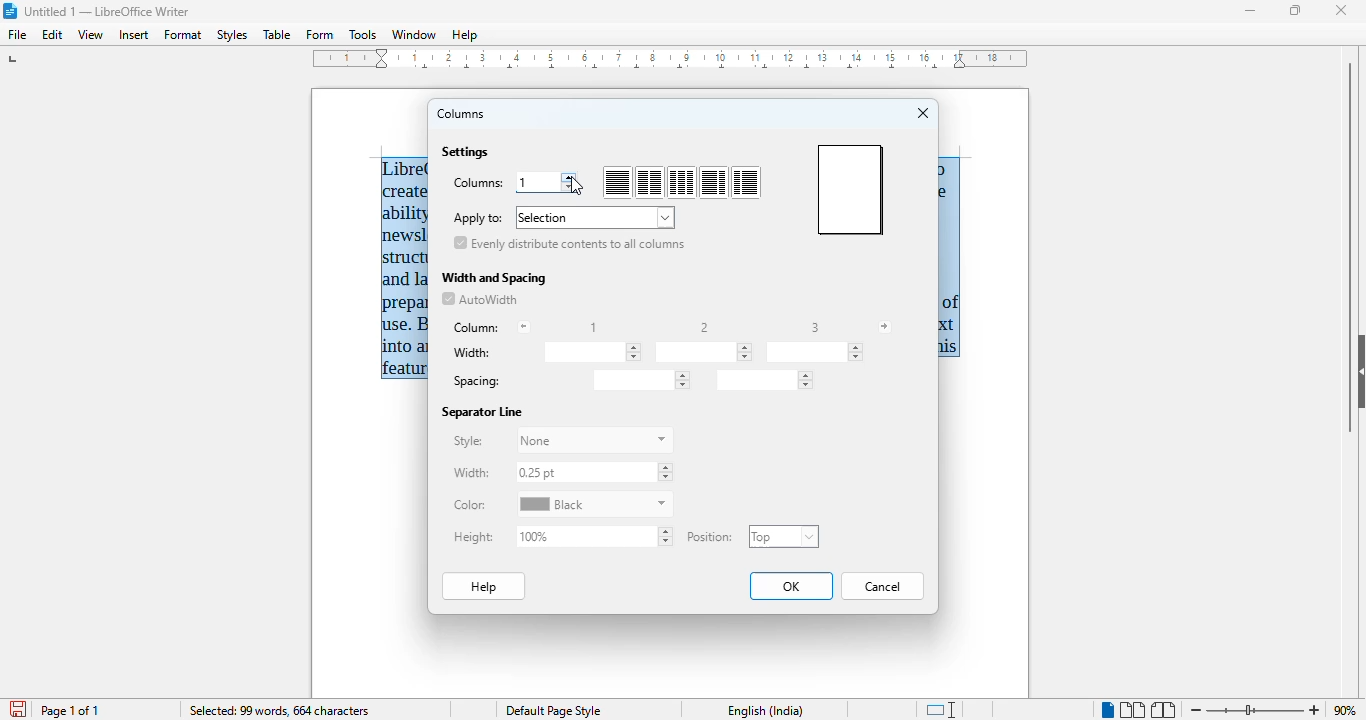 This screenshot has height=720, width=1366. I want to click on edit, so click(54, 35).